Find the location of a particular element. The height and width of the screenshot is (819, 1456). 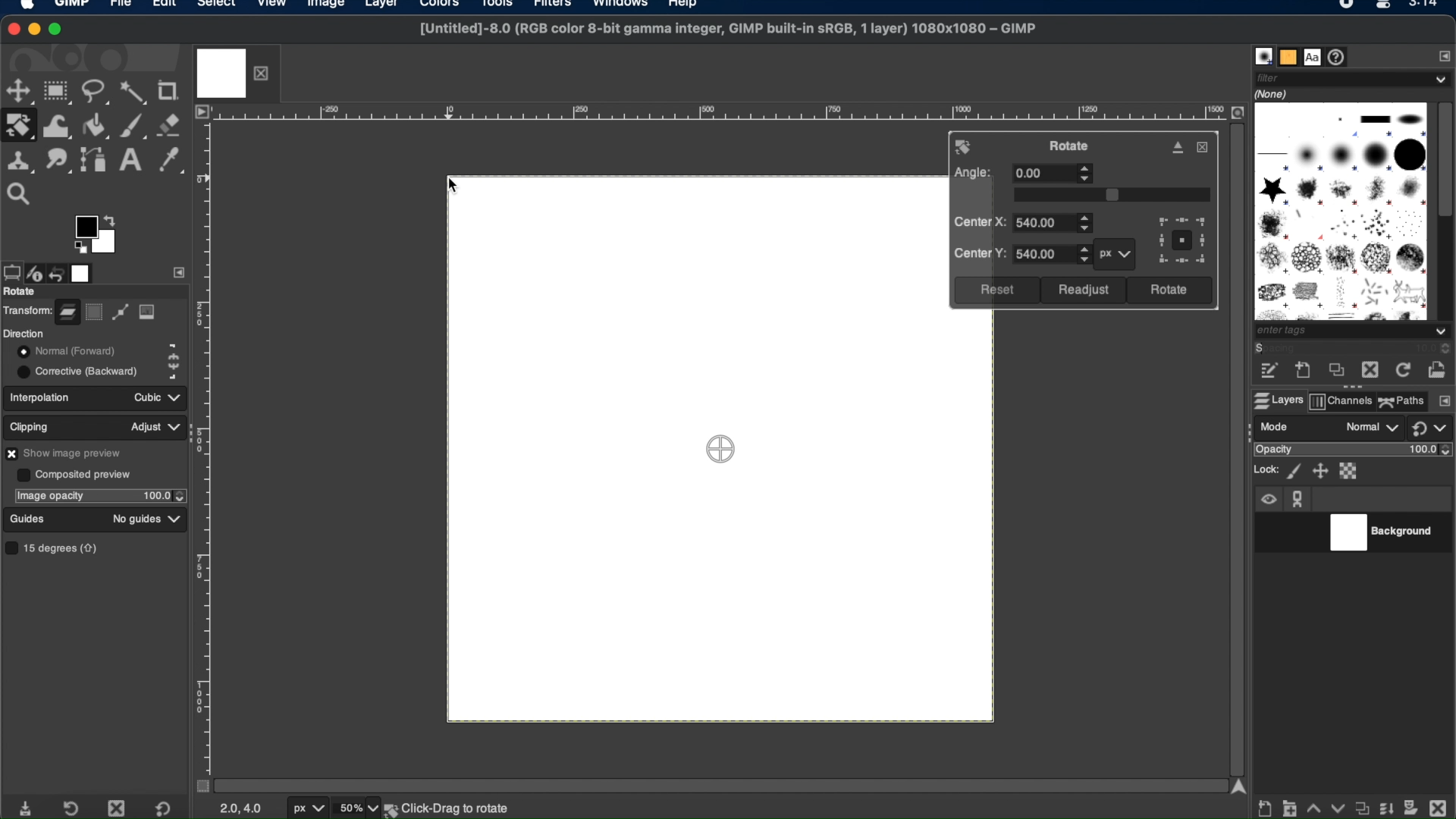

15 degrees is located at coordinates (55, 548).